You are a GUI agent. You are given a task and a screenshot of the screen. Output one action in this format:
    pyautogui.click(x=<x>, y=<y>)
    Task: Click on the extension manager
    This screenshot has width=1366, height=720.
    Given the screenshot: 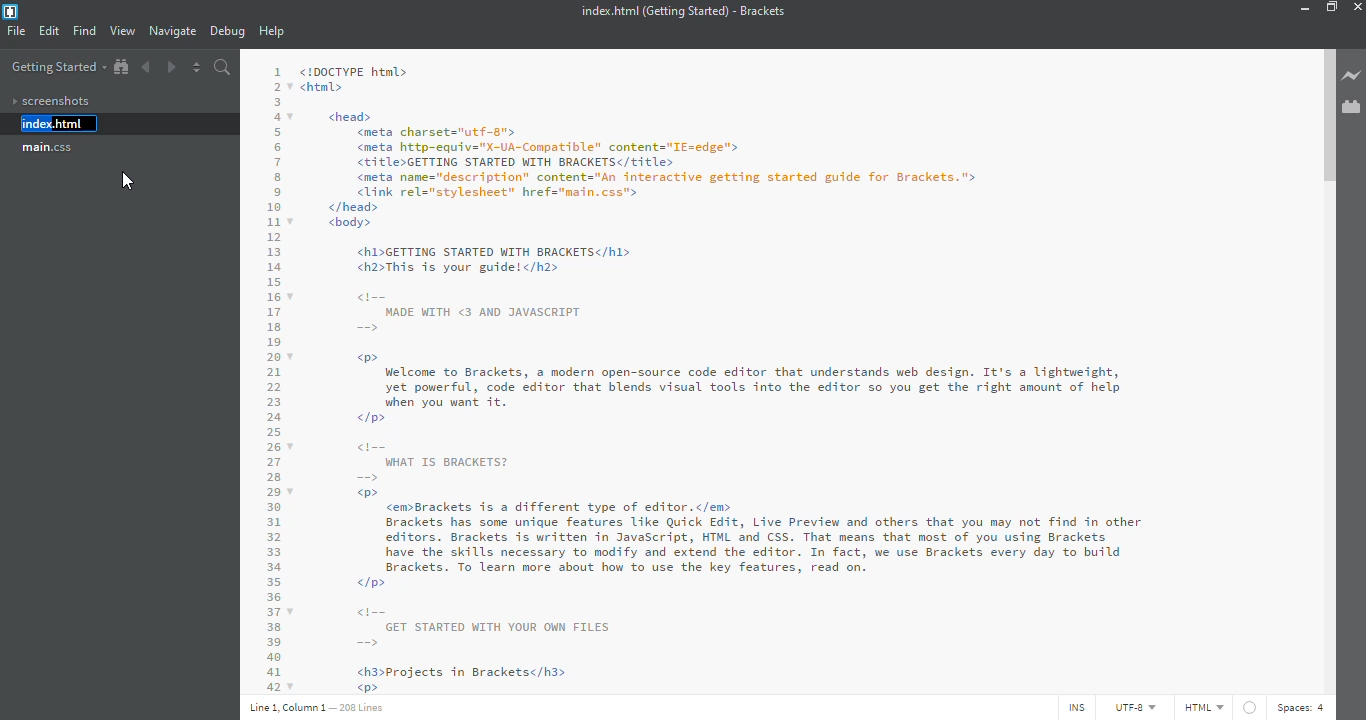 What is the action you would take?
    pyautogui.click(x=1352, y=107)
    